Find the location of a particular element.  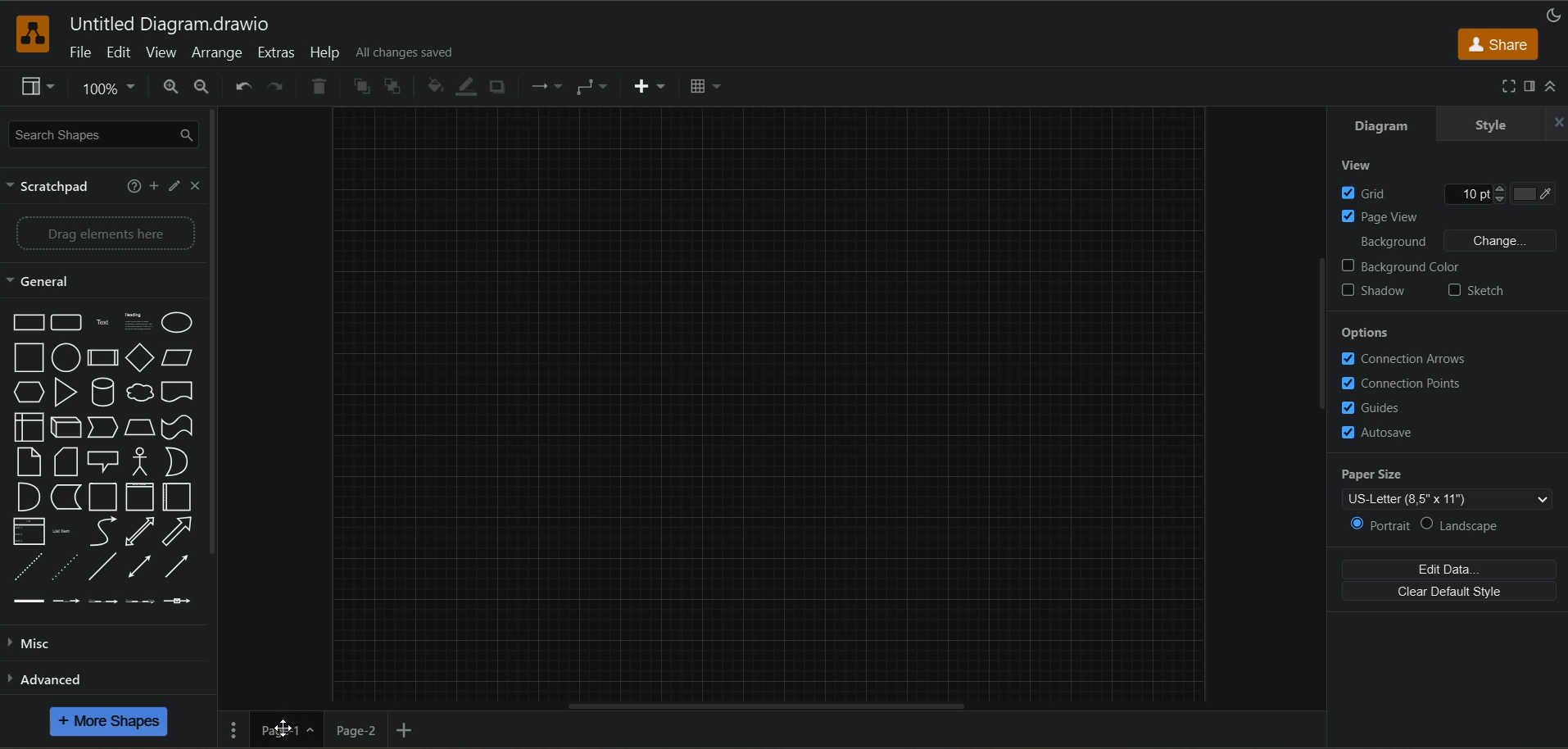

background color is located at coordinates (1403, 266).